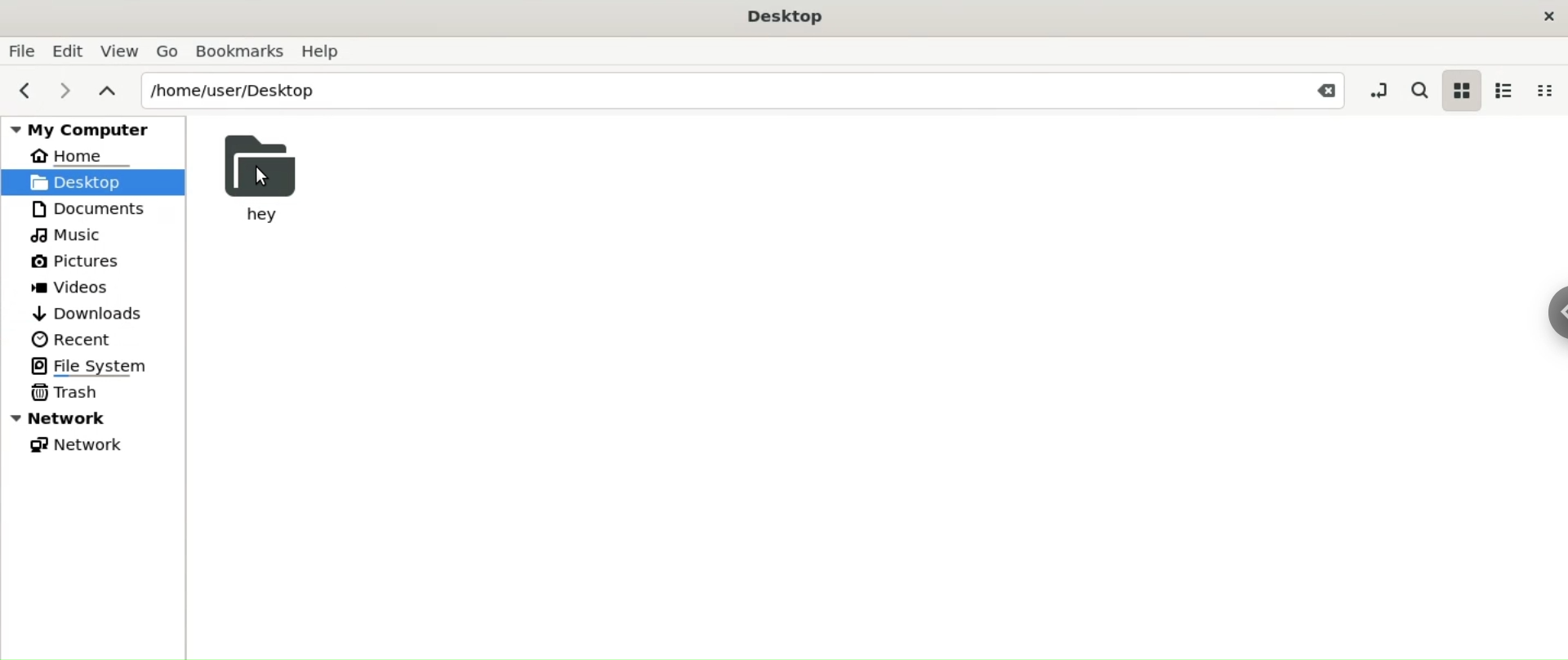 Image resolution: width=1568 pixels, height=660 pixels. Describe the element at coordinates (1546, 91) in the screenshot. I see `compact view` at that location.